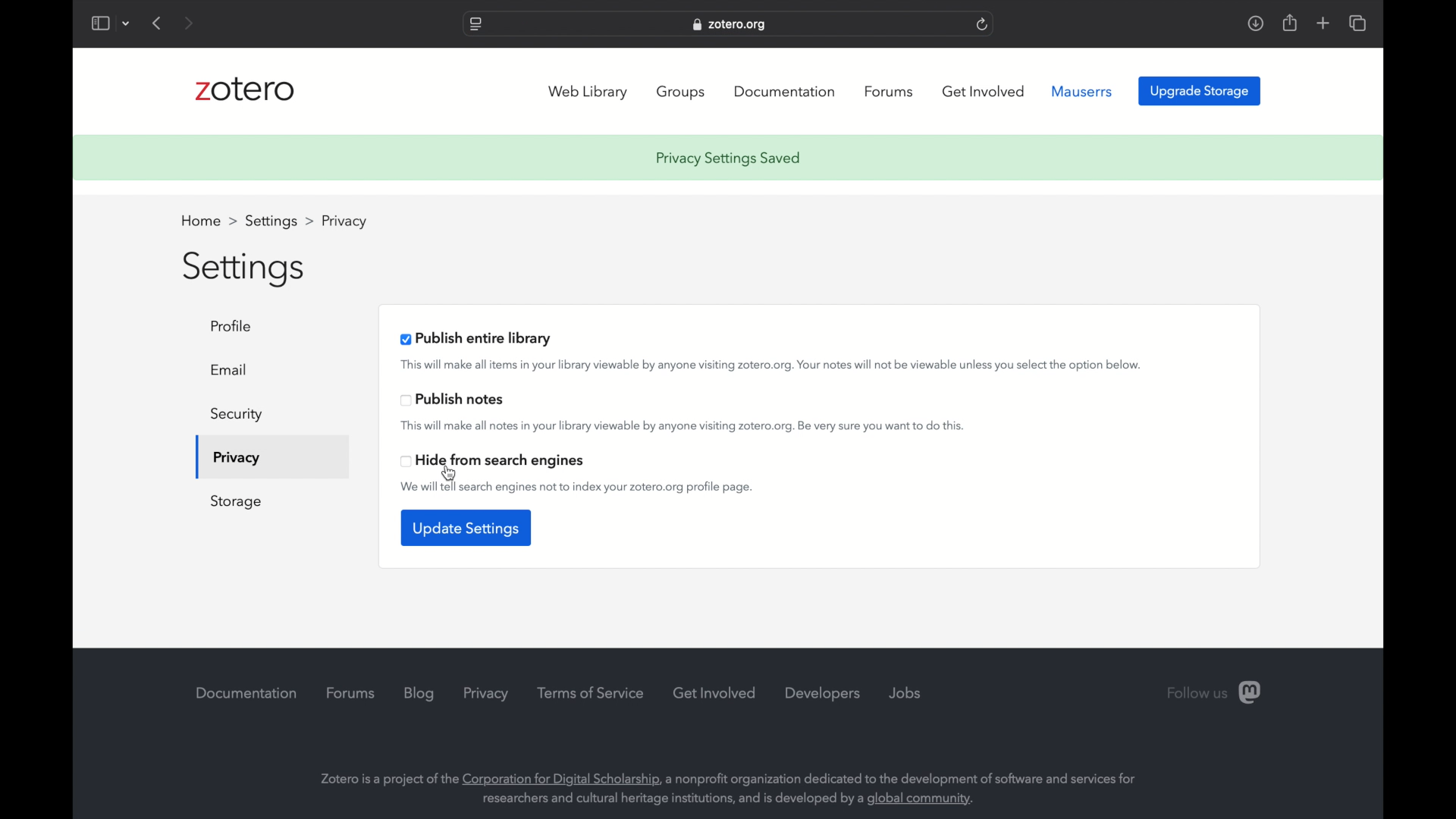 The width and height of the screenshot is (1456, 819). Describe the element at coordinates (127, 25) in the screenshot. I see `dropdown` at that location.